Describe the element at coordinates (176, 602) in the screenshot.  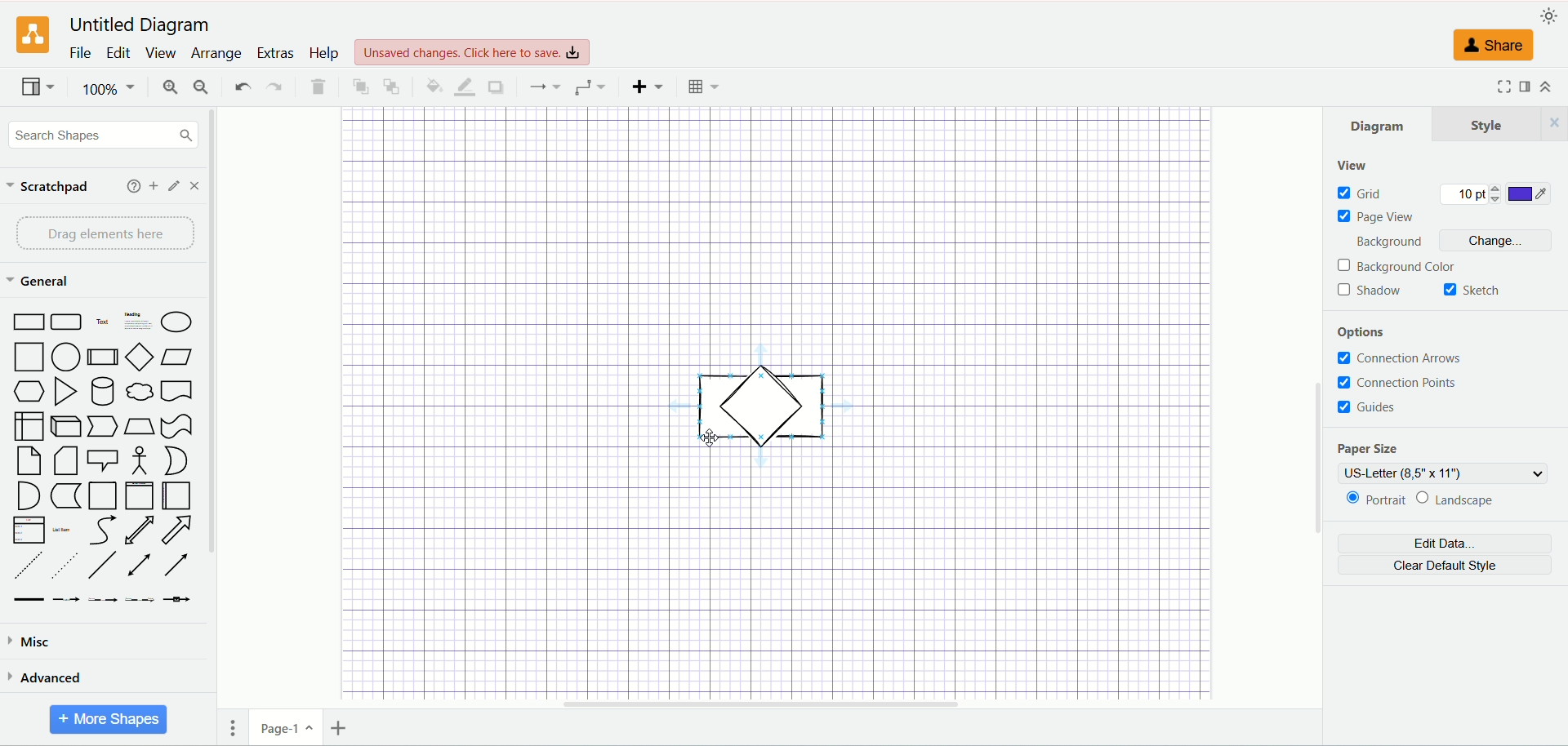
I see `Connector with symbol` at that location.